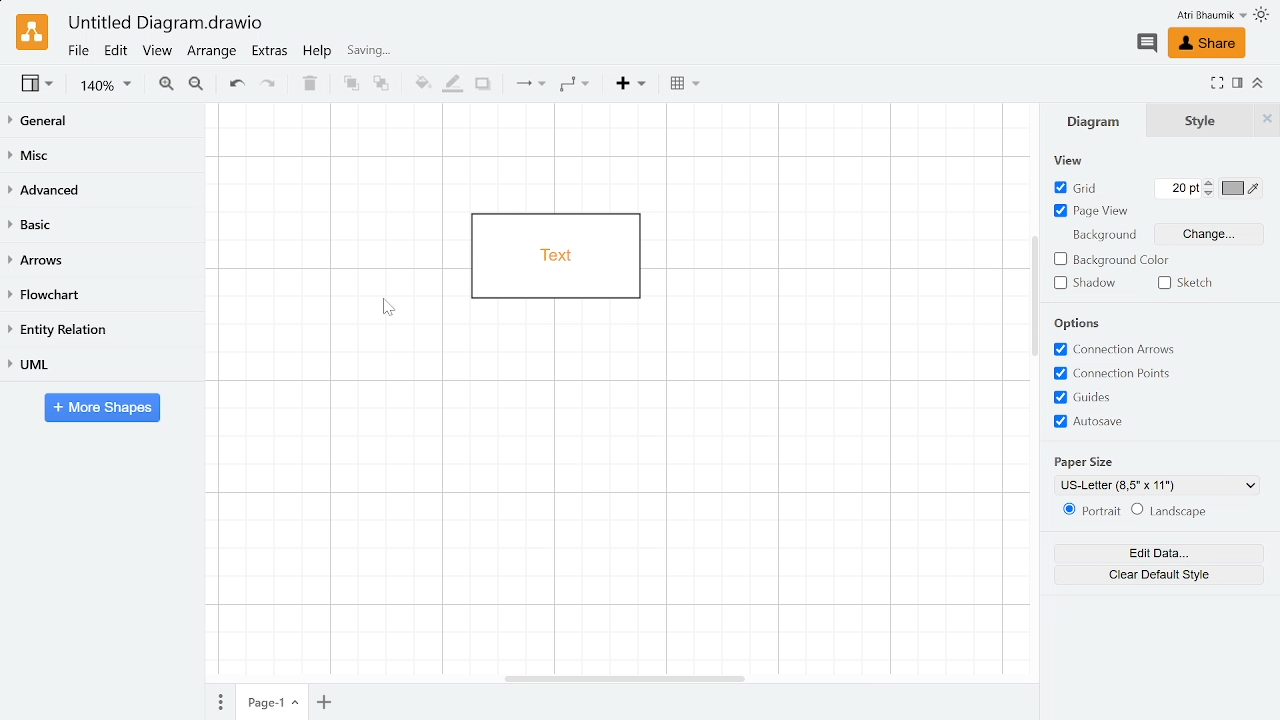 The image size is (1280, 720). Describe the element at coordinates (98, 296) in the screenshot. I see `Flowchart` at that location.